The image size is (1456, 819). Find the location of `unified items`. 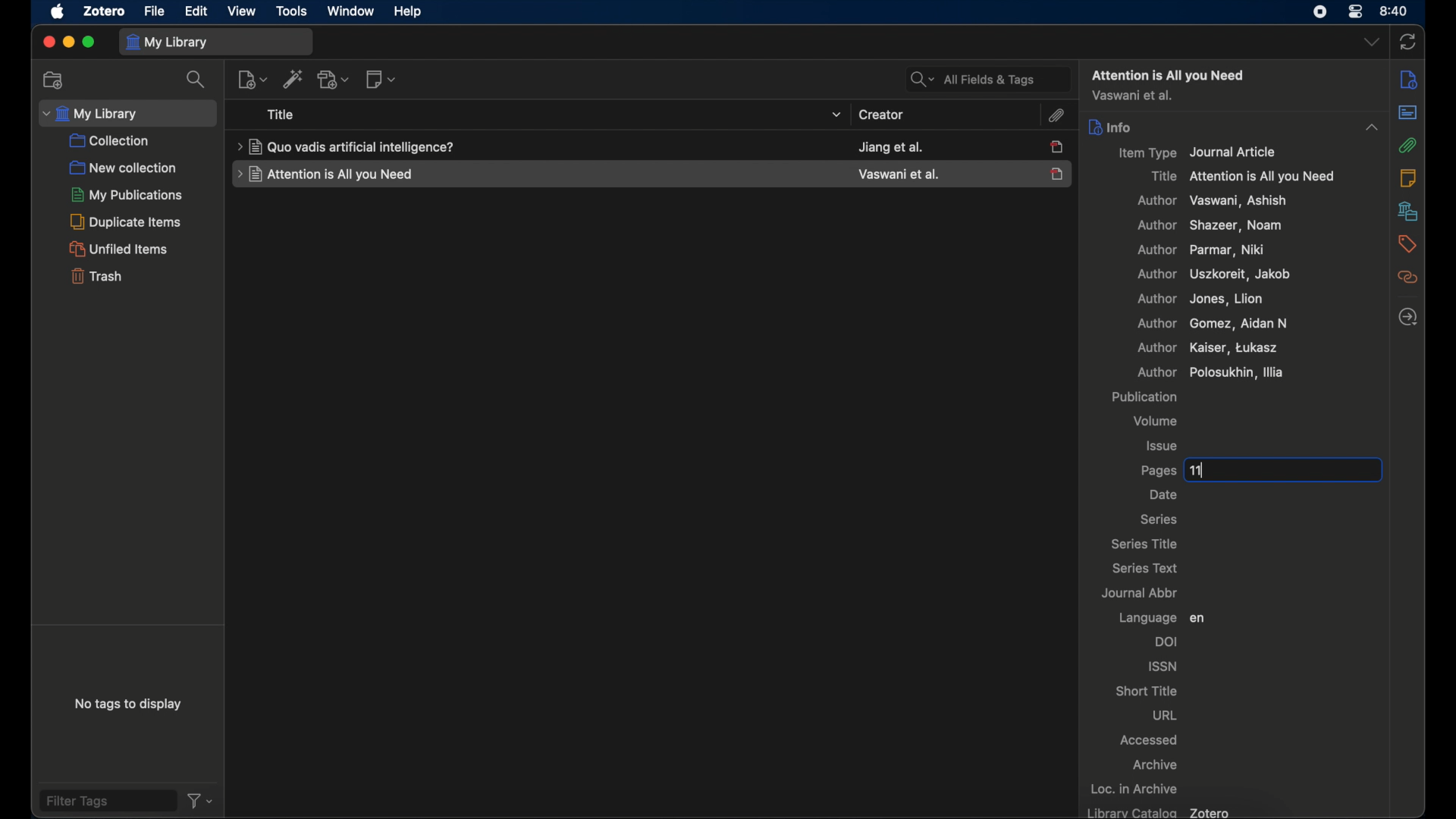

unified items is located at coordinates (119, 249).